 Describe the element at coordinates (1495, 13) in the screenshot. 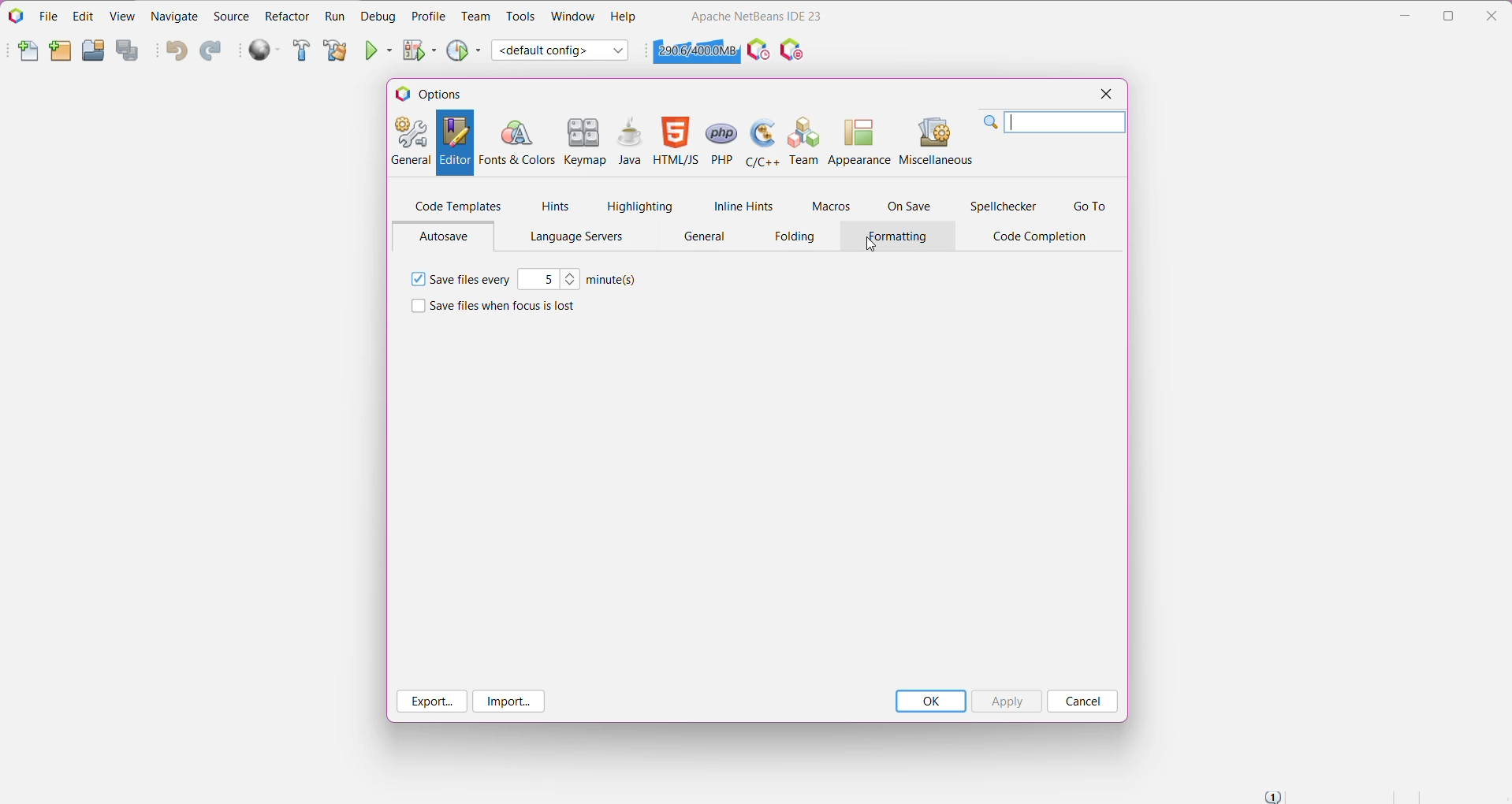

I see `Close` at that location.